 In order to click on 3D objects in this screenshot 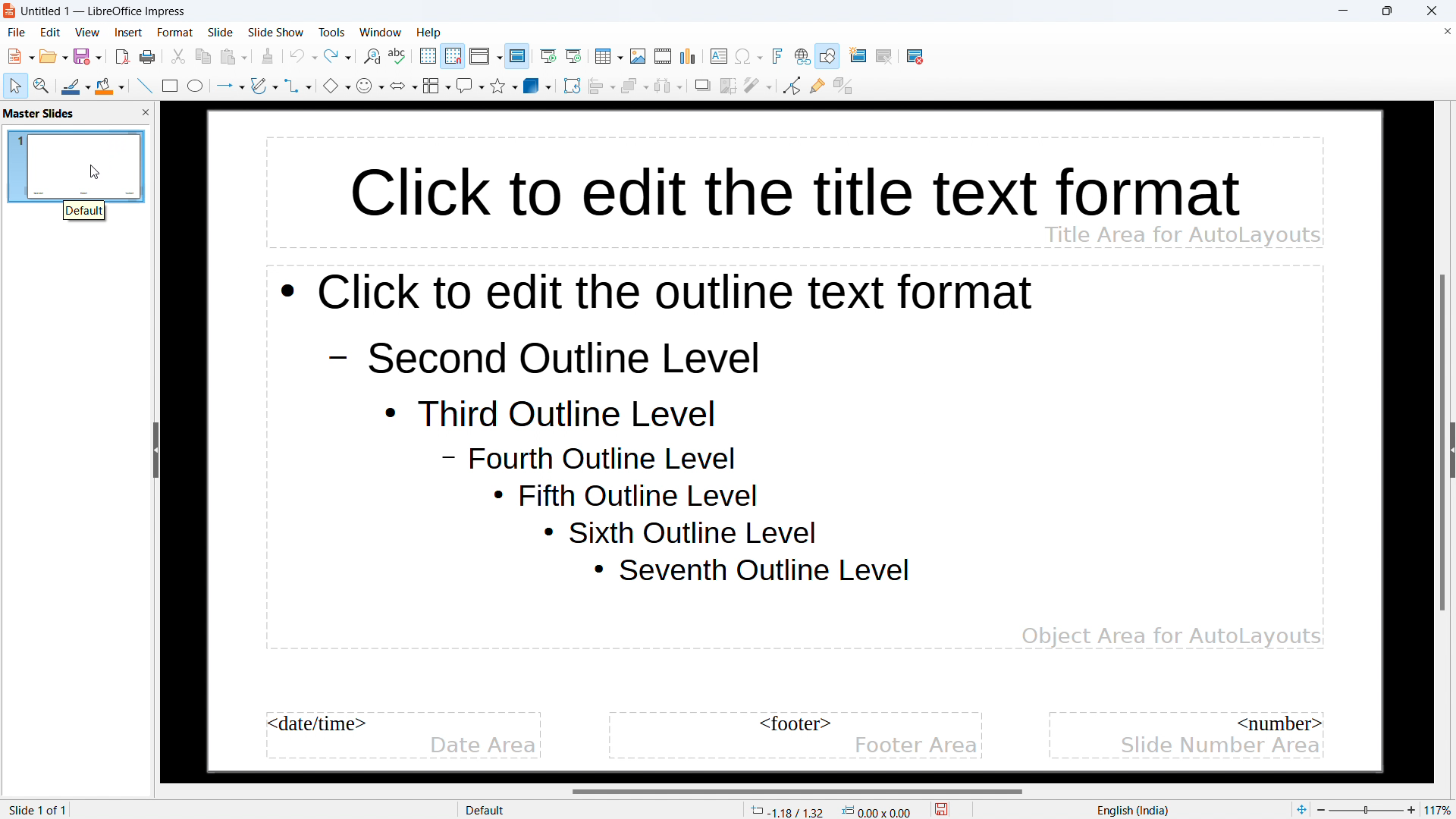, I will do `click(538, 86)`.